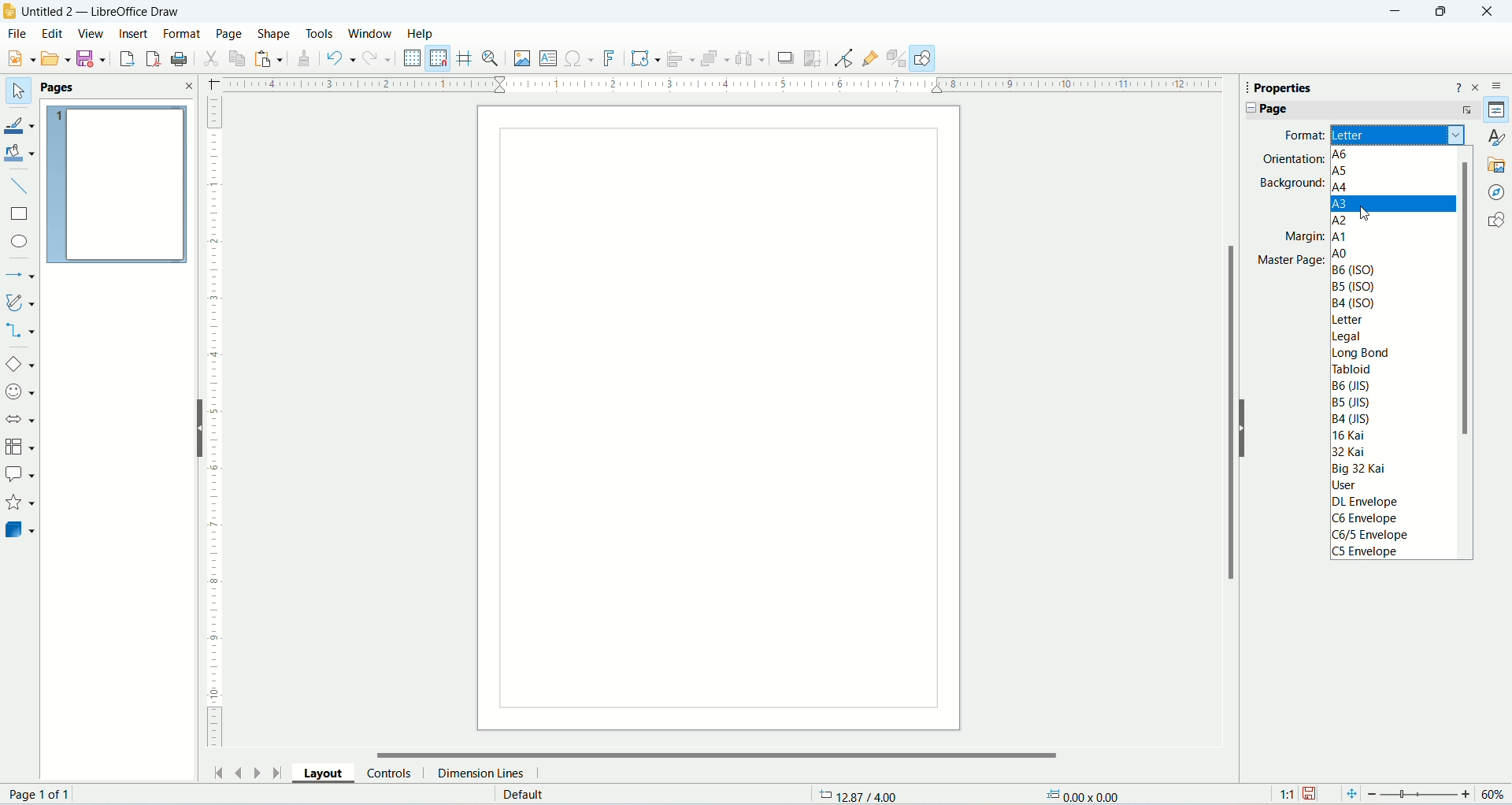 This screenshot has width=1512, height=805. I want to click on Master page, so click(1288, 259).